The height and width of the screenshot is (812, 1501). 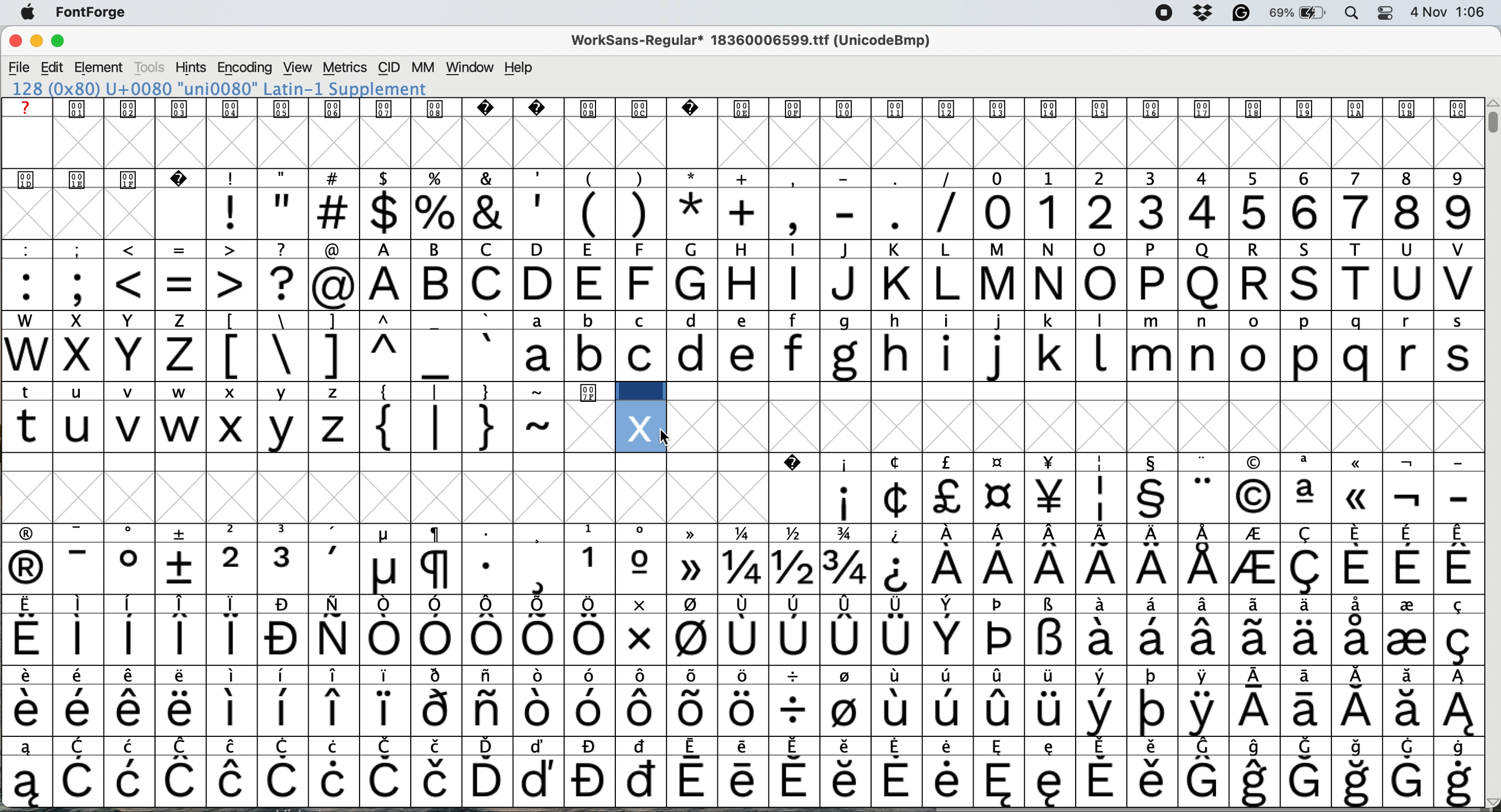 What do you see at coordinates (1490, 122) in the screenshot?
I see `vertical scroll bar` at bounding box center [1490, 122].